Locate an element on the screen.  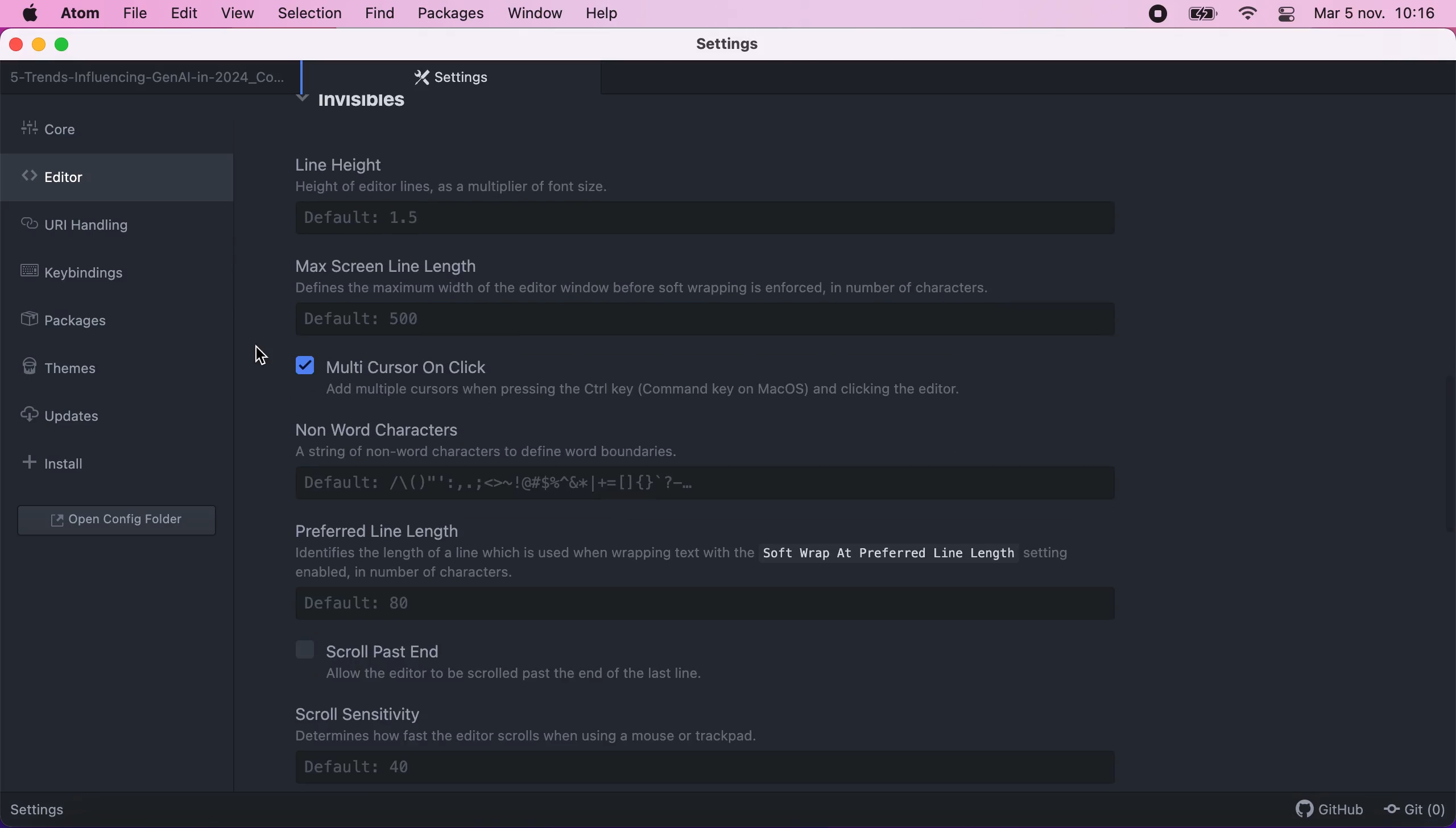
tab is located at coordinates (148, 77).